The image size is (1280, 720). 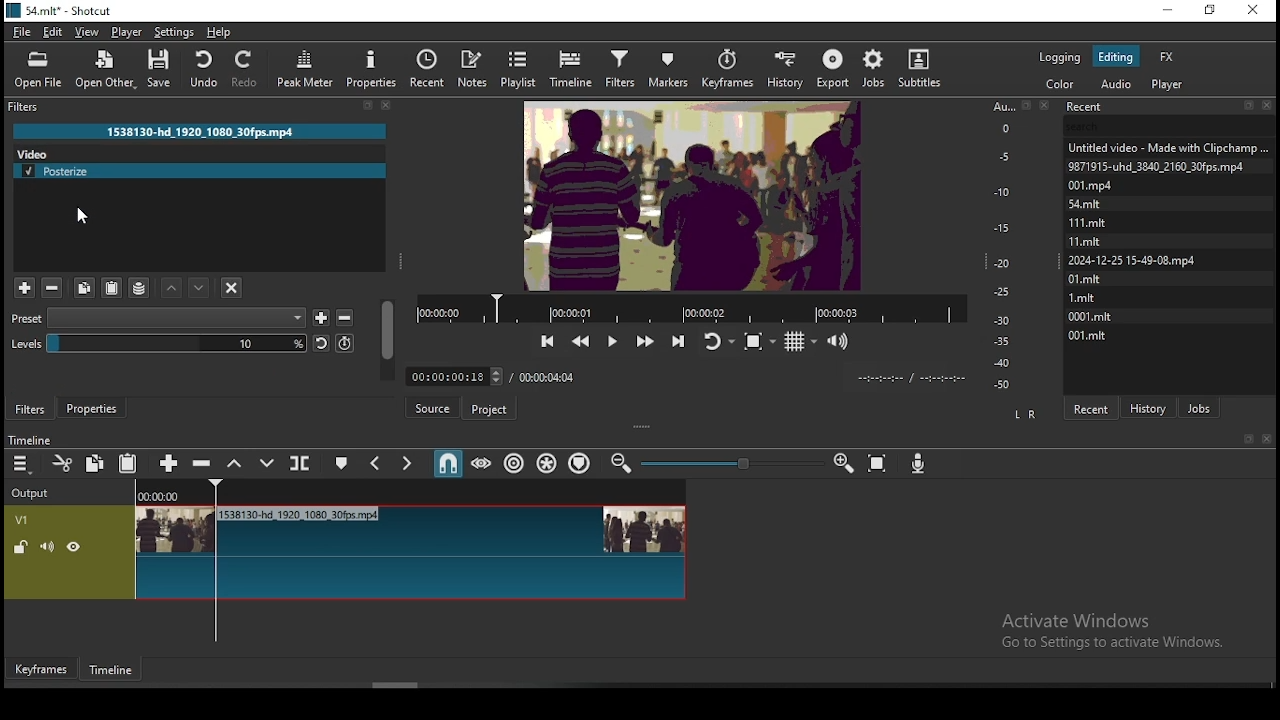 I want to click on ripple markers, so click(x=578, y=464).